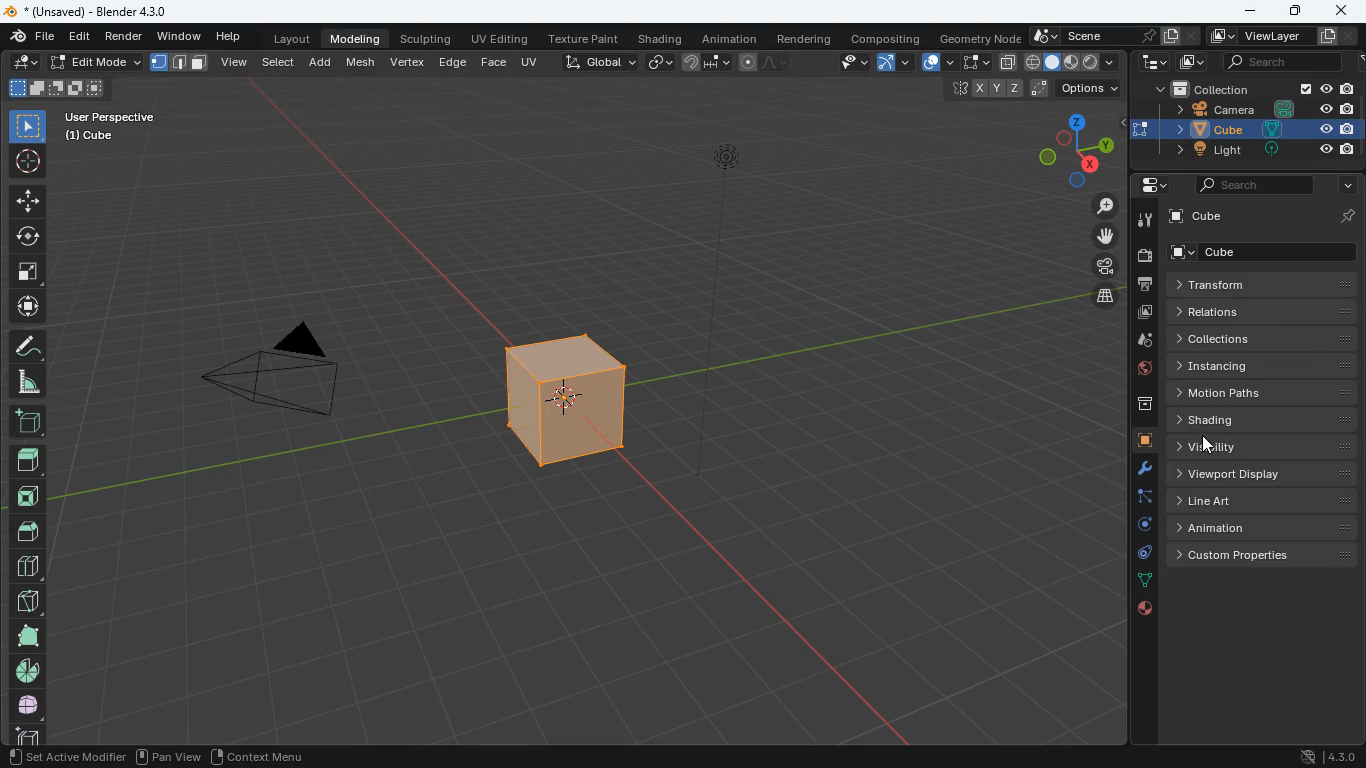 The image size is (1366, 768). What do you see at coordinates (706, 63) in the screenshot?
I see `join` at bounding box center [706, 63].